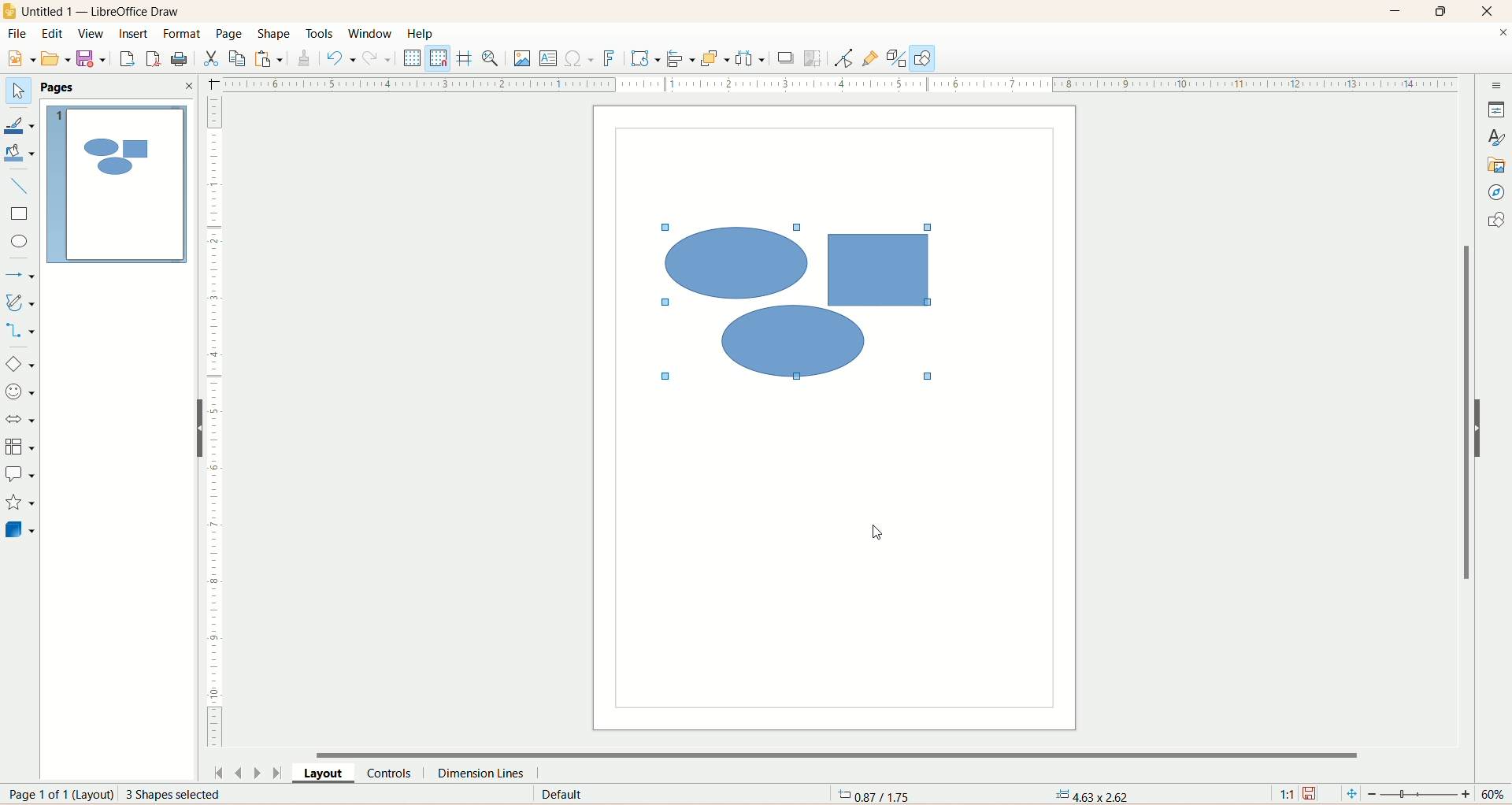  Describe the element at coordinates (813, 59) in the screenshot. I see `crop image` at that location.